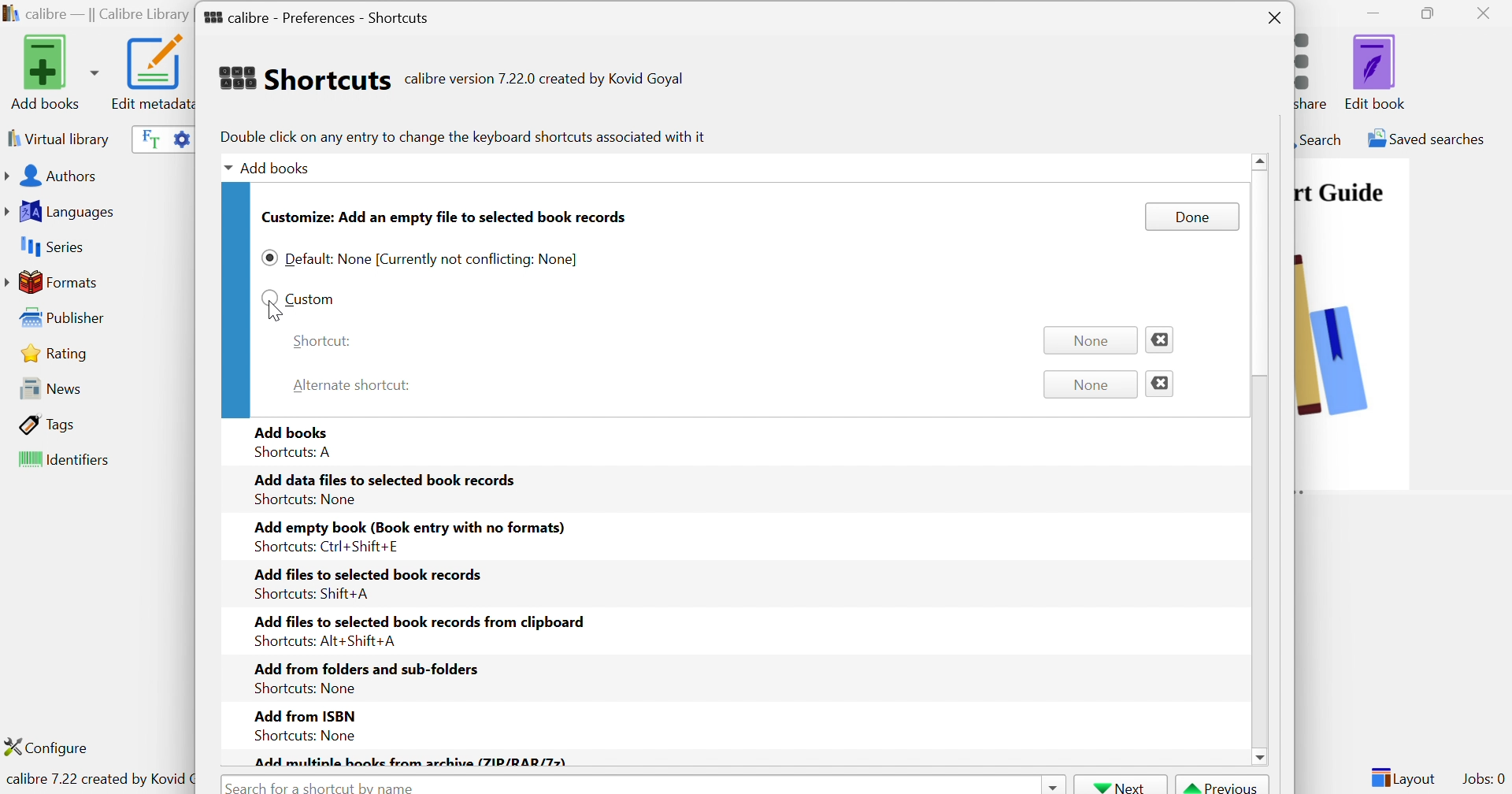  What do you see at coordinates (387, 479) in the screenshot?
I see `Add data files to selected book records` at bounding box center [387, 479].